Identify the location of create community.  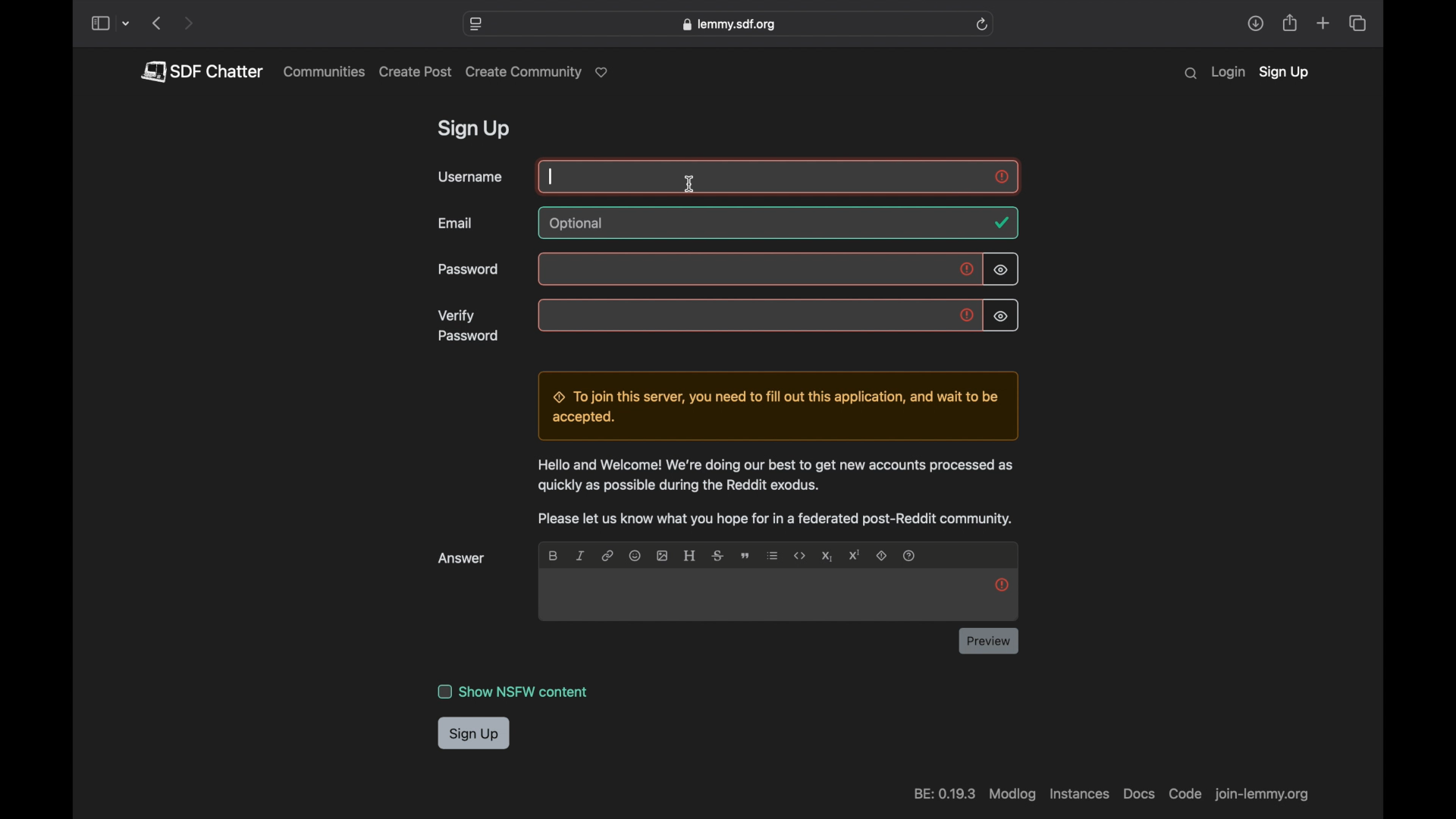
(540, 73).